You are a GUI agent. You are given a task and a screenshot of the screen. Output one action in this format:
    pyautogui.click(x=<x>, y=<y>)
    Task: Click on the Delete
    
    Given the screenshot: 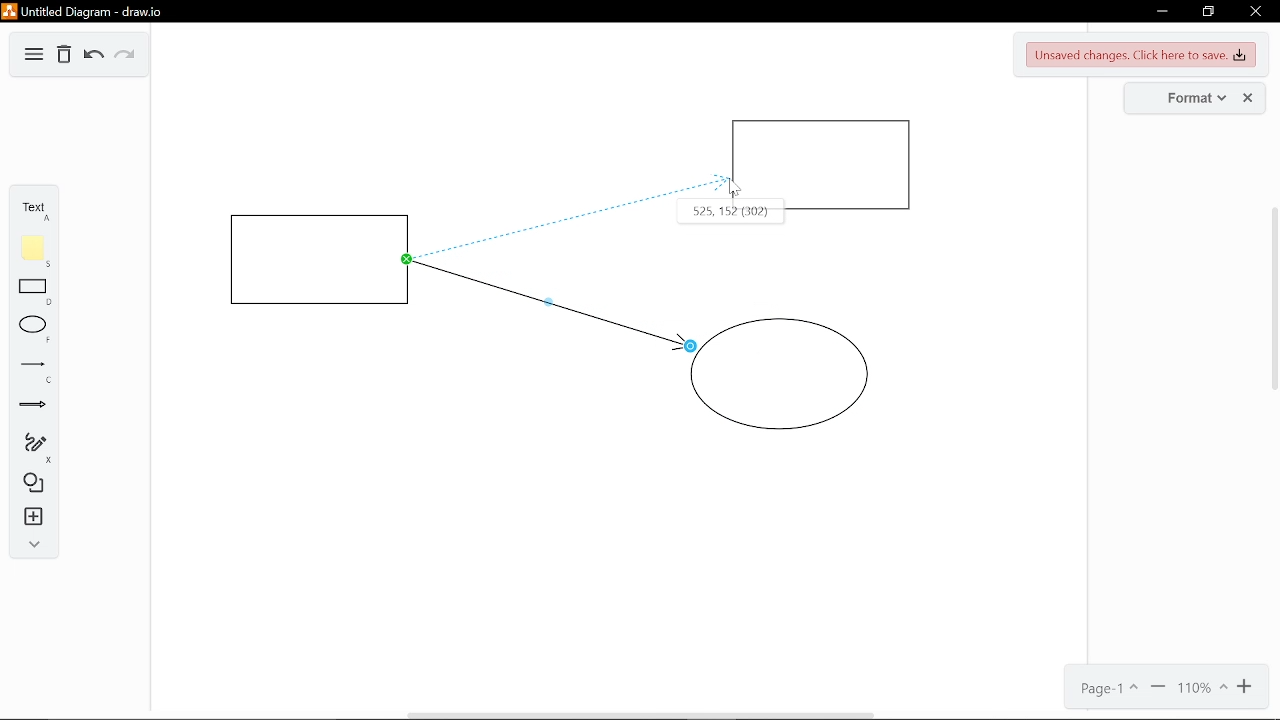 What is the action you would take?
    pyautogui.click(x=63, y=55)
    